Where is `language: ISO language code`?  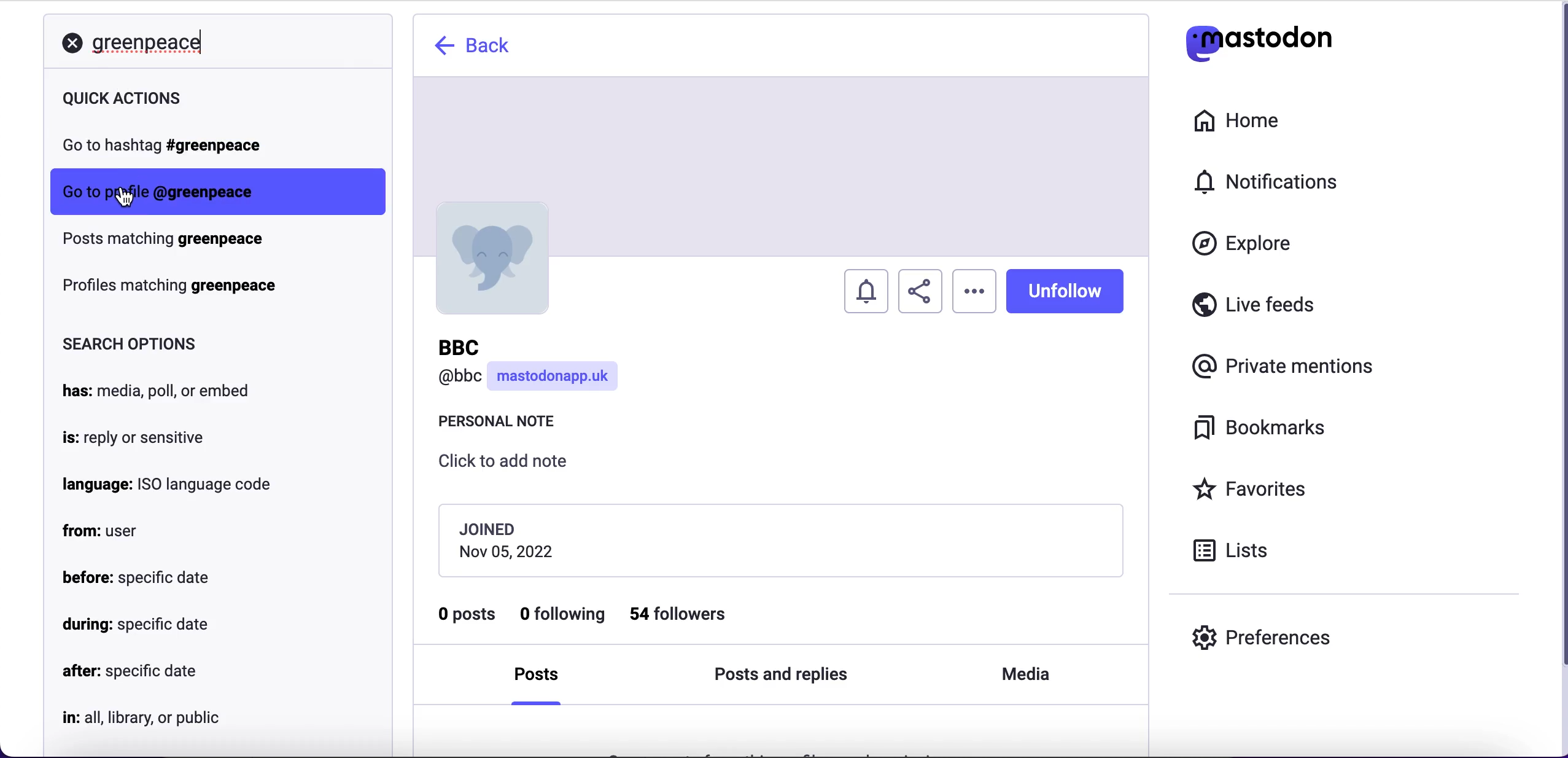
language: ISO language code is located at coordinates (163, 485).